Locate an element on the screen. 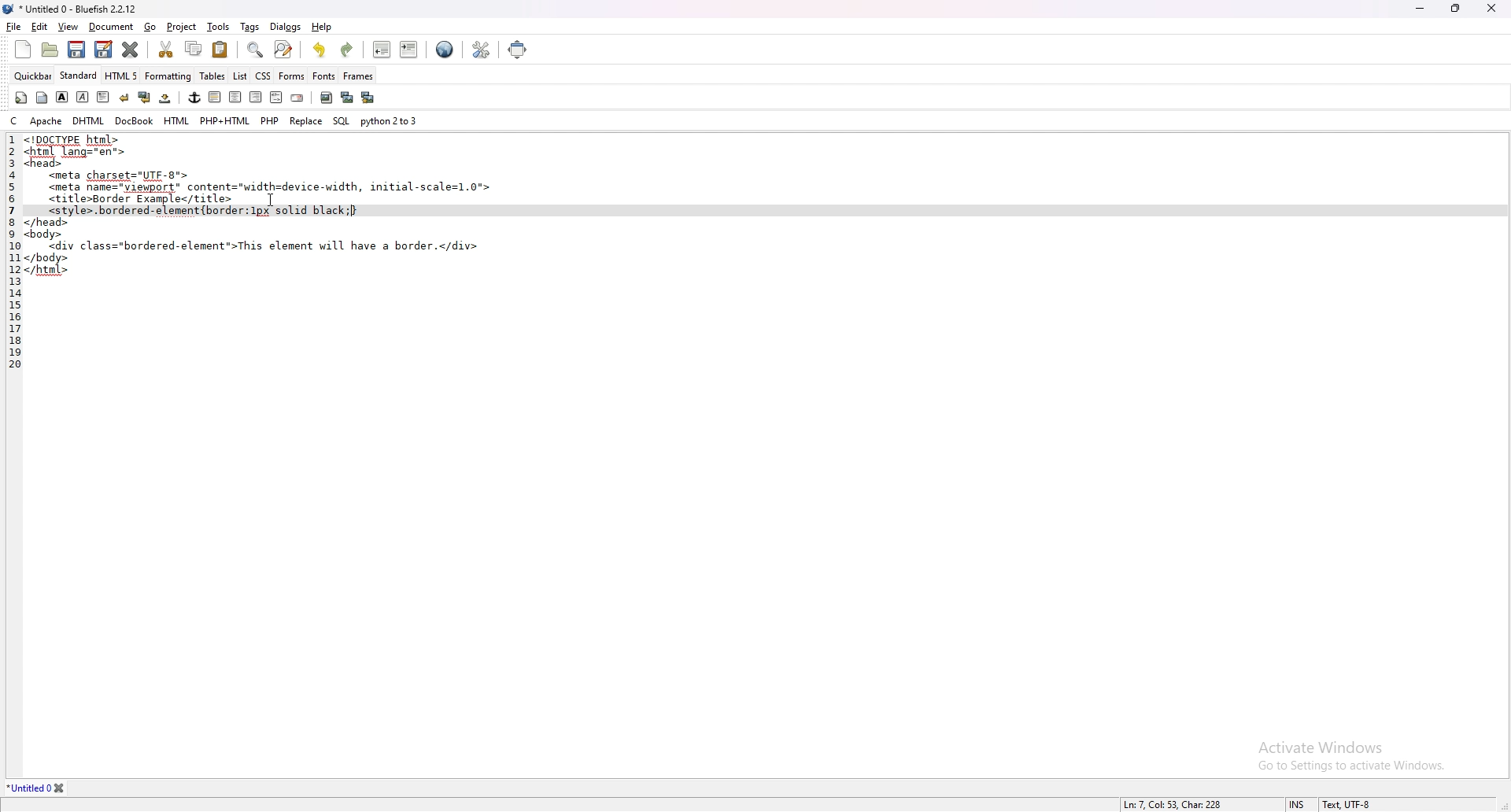  copy is located at coordinates (194, 49).